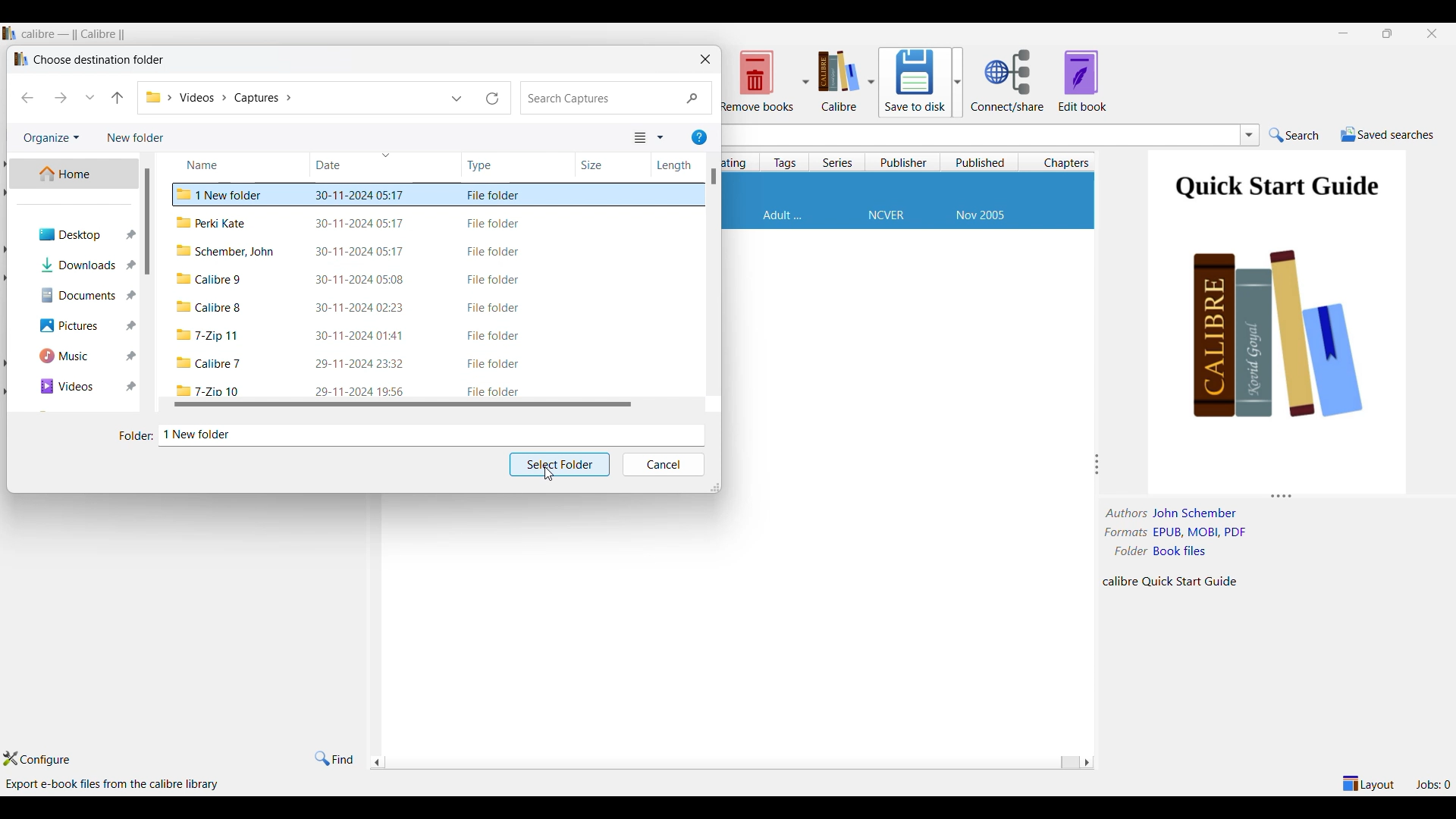 The width and height of the screenshot is (1456, 819). I want to click on date, so click(362, 309).